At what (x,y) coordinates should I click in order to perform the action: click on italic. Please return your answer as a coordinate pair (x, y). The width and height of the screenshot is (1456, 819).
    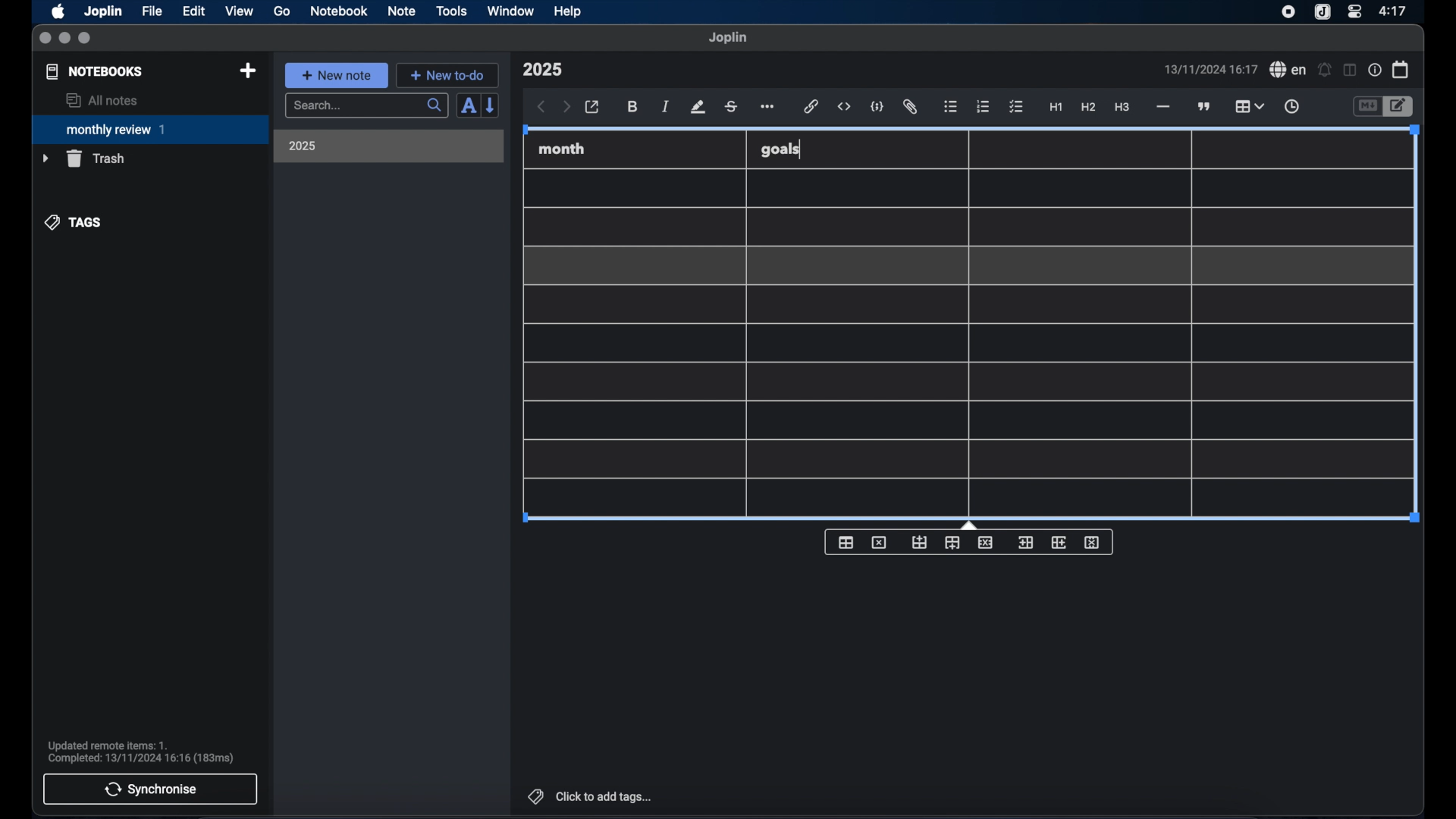
    Looking at the image, I should click on (666, 106).